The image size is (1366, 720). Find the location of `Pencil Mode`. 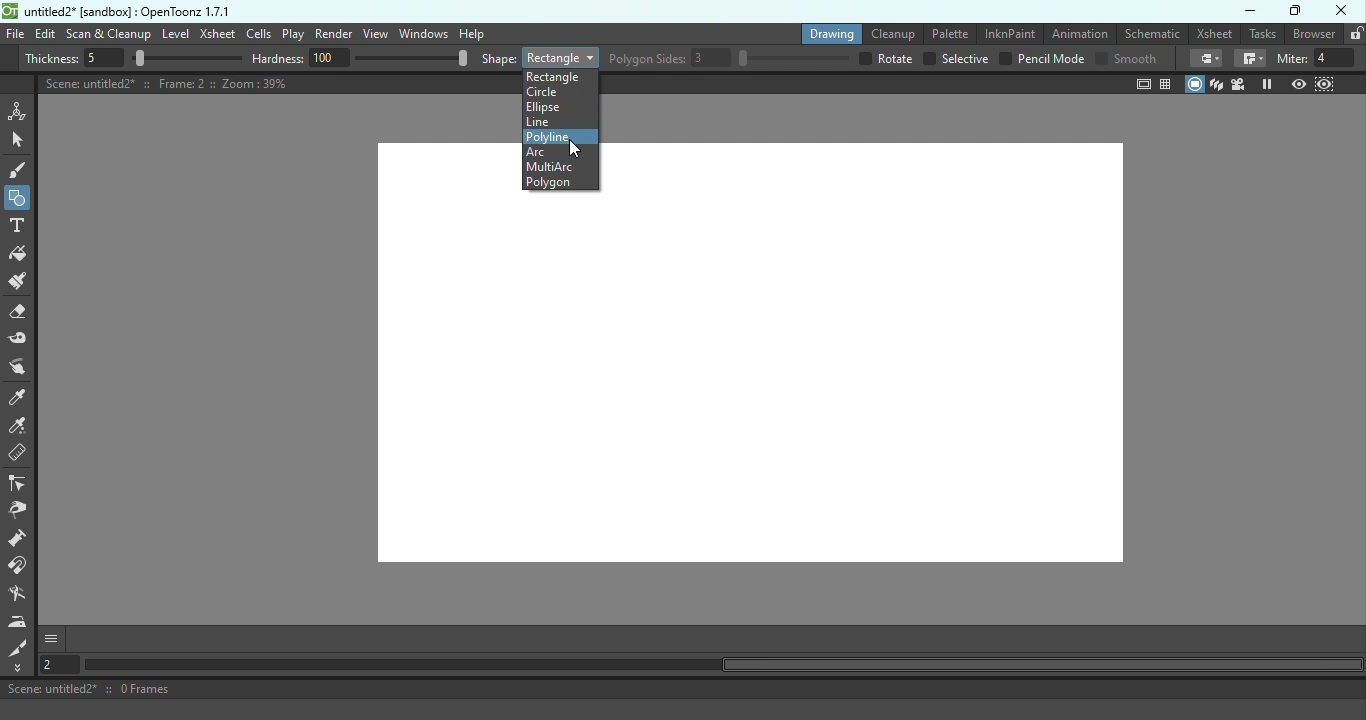

Pencil Mode is located at coordinates (1041, 60).